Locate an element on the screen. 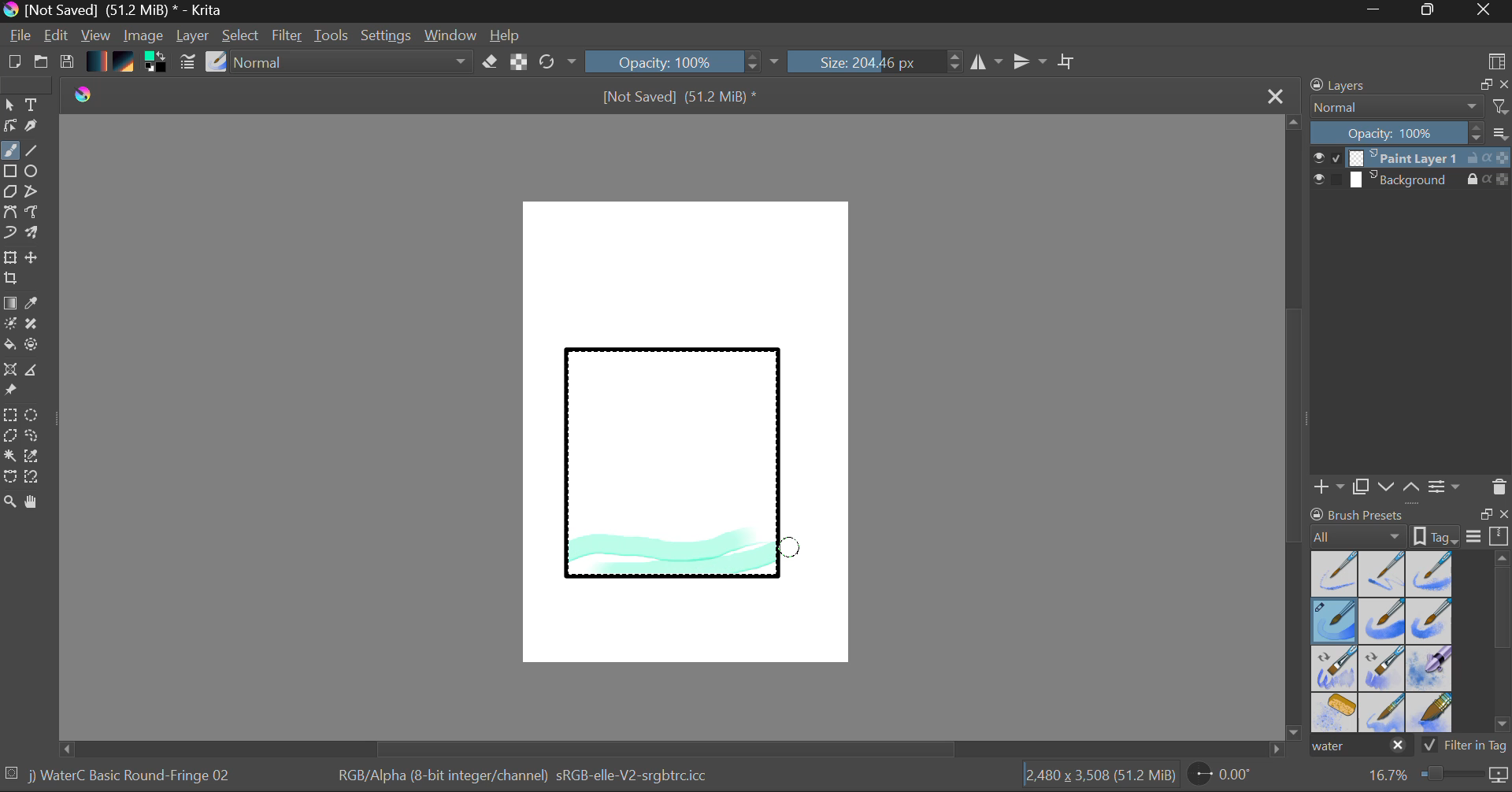  Horizontal Mirror Flip is located at coordinates (1033, 63).